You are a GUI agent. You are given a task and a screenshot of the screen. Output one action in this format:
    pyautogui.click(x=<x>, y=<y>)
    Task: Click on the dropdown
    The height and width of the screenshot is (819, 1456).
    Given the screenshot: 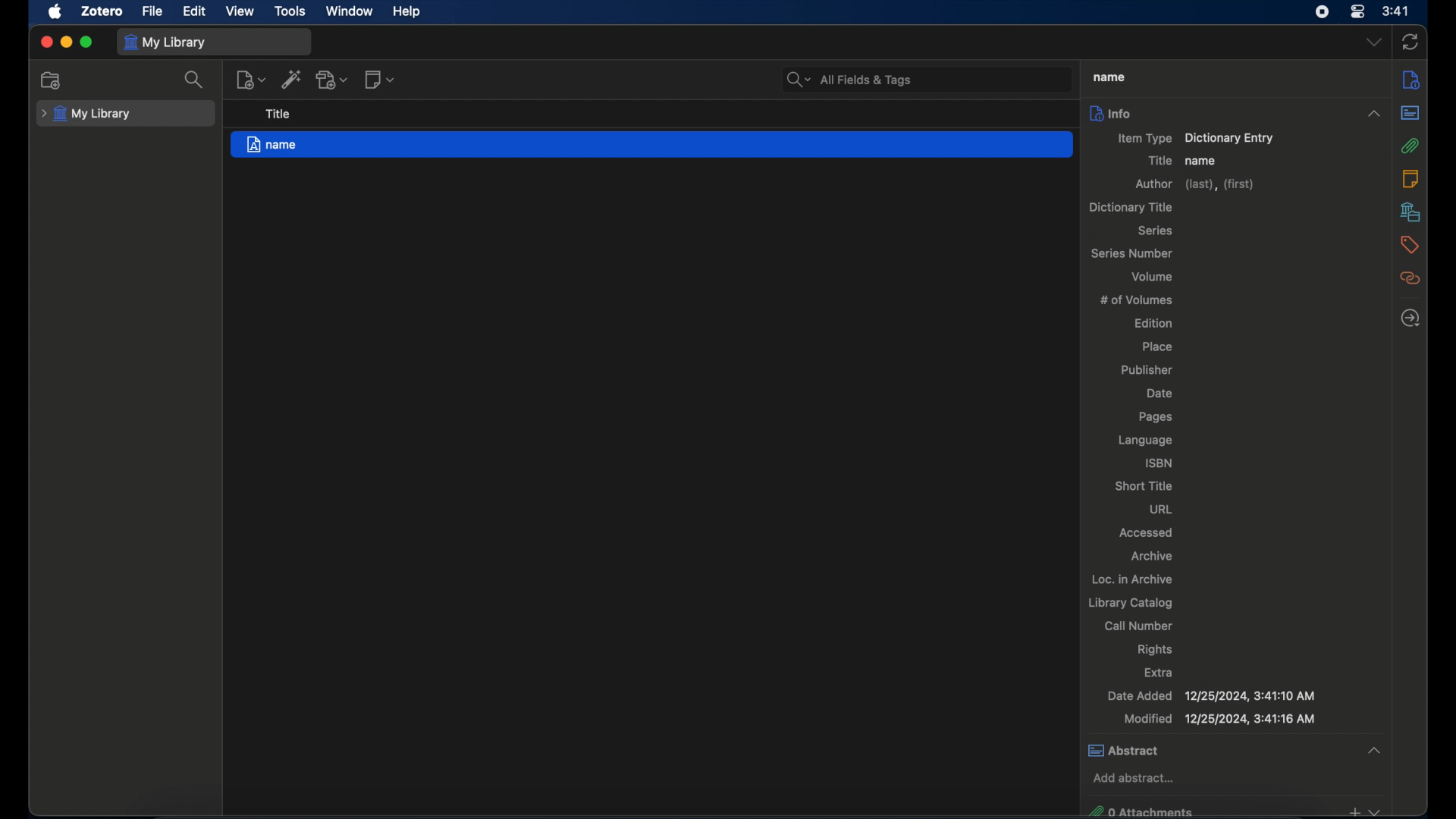 What is the action you would take?
    pyautogui.click(x=1373, y=114)
    